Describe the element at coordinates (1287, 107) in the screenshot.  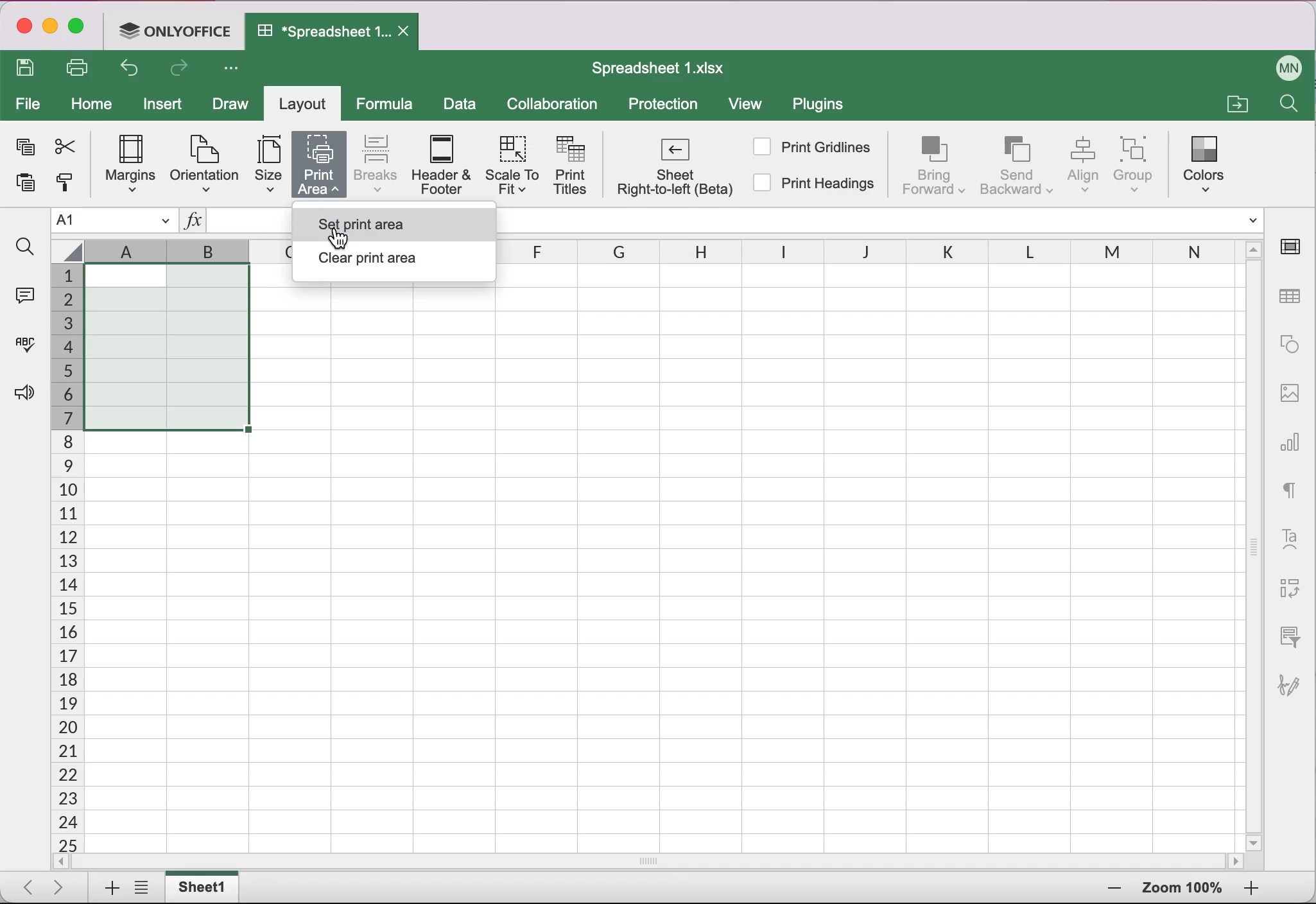
I see `Find` at that location.